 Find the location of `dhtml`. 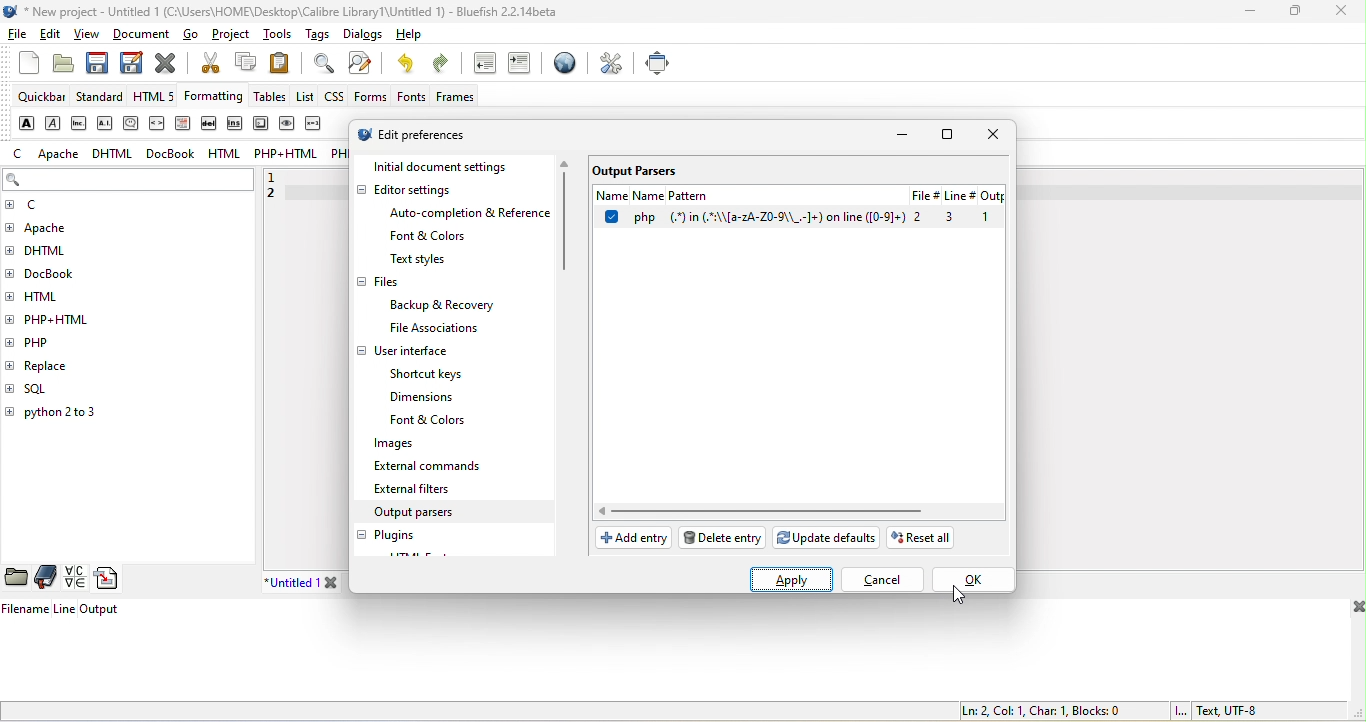

dhtml is located at coordinates (115, 152).